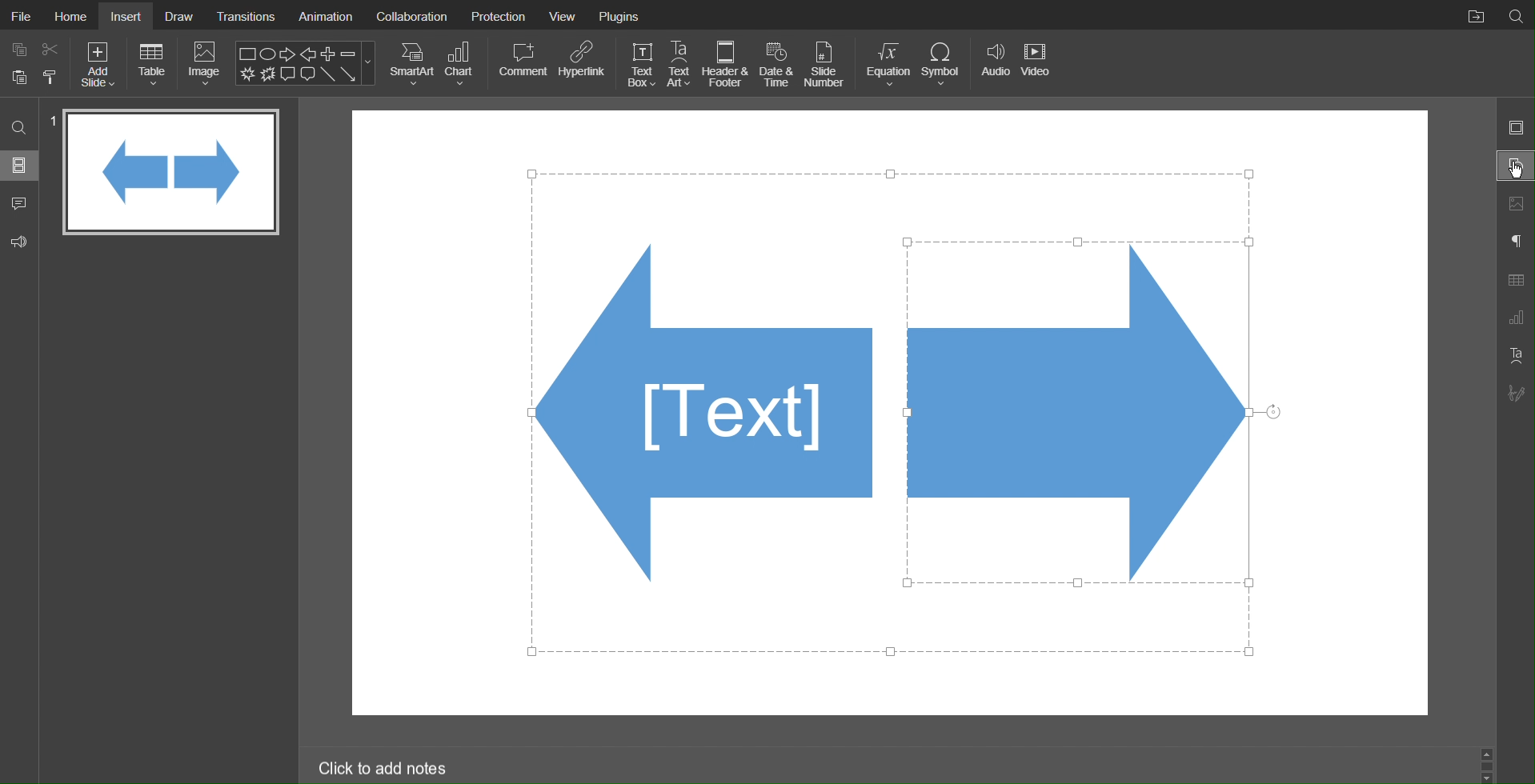 The width and height of the screenshot is (1535, 784). What do you see at coordinates (19, 202) in the screenshot?
I see `Comments` at bounding box center [19, 202].